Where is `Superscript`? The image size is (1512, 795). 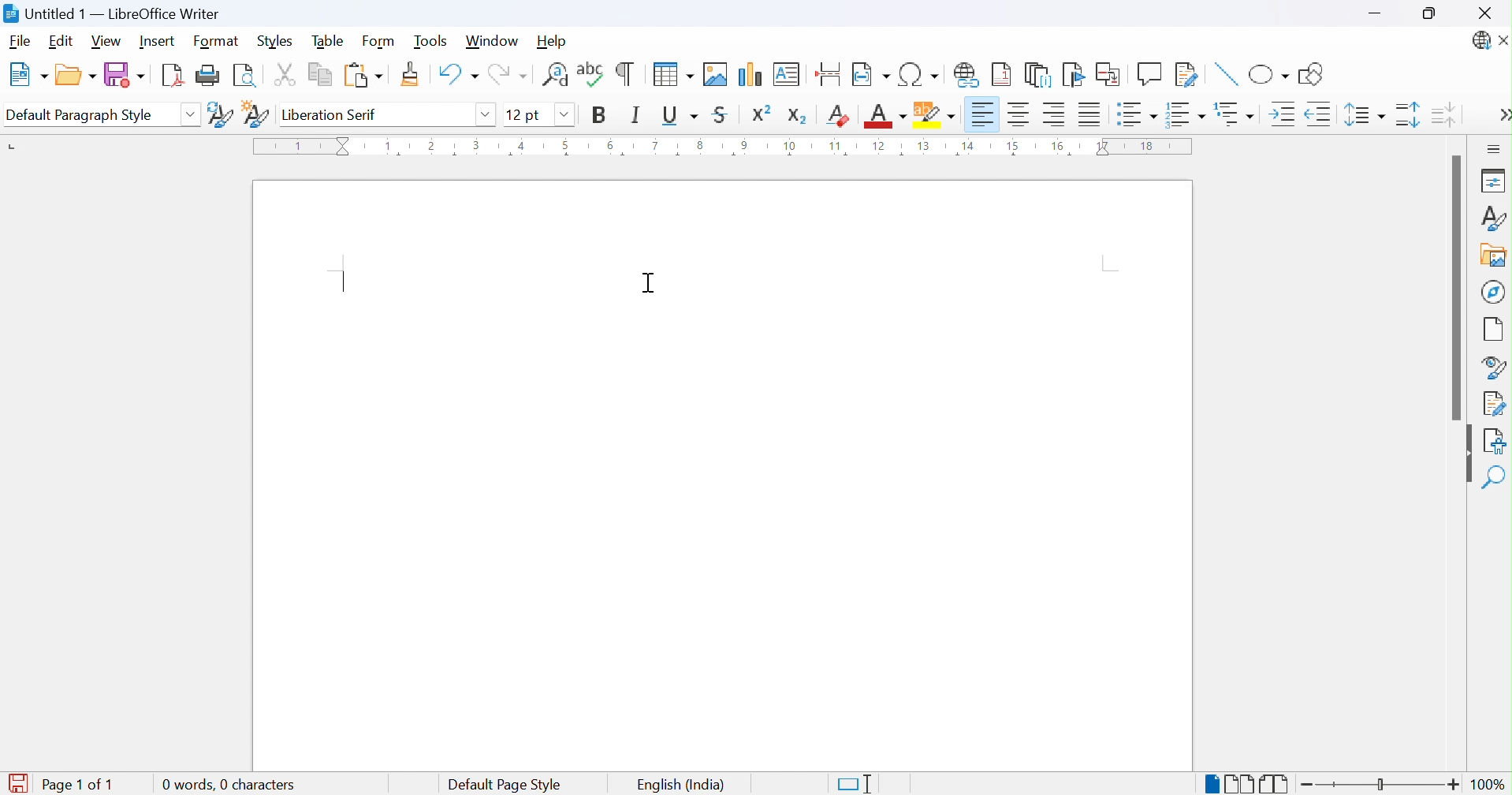
Superscript is located at coordinates (762, 114).